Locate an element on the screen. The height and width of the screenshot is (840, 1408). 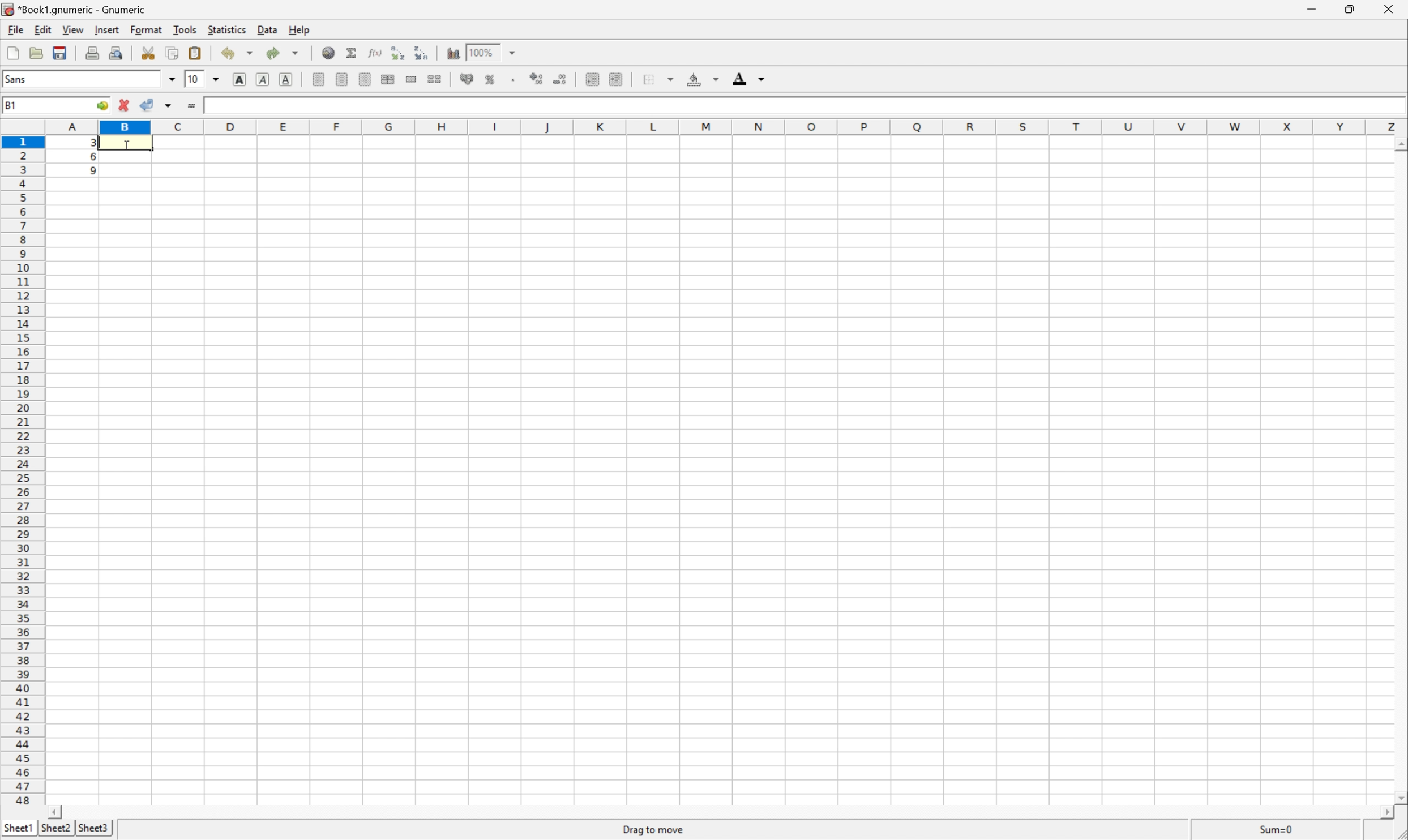
Scroll Down is located at coordinates (1399, 797).